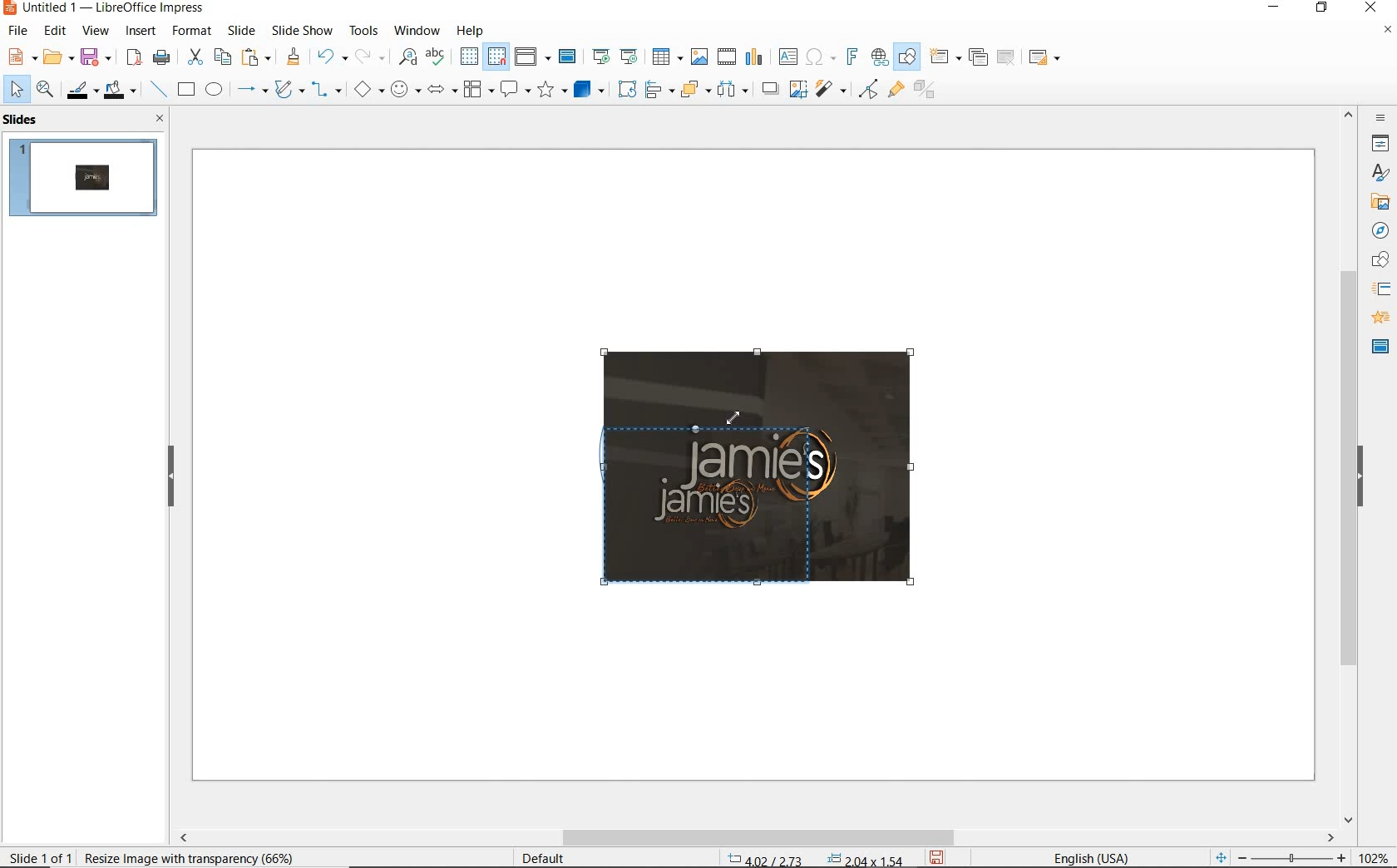 This screenshot has width=1397, height=868. Describe the element at coordinates (481, 57) in the screenshot. I see `display/snap grid` at that location.